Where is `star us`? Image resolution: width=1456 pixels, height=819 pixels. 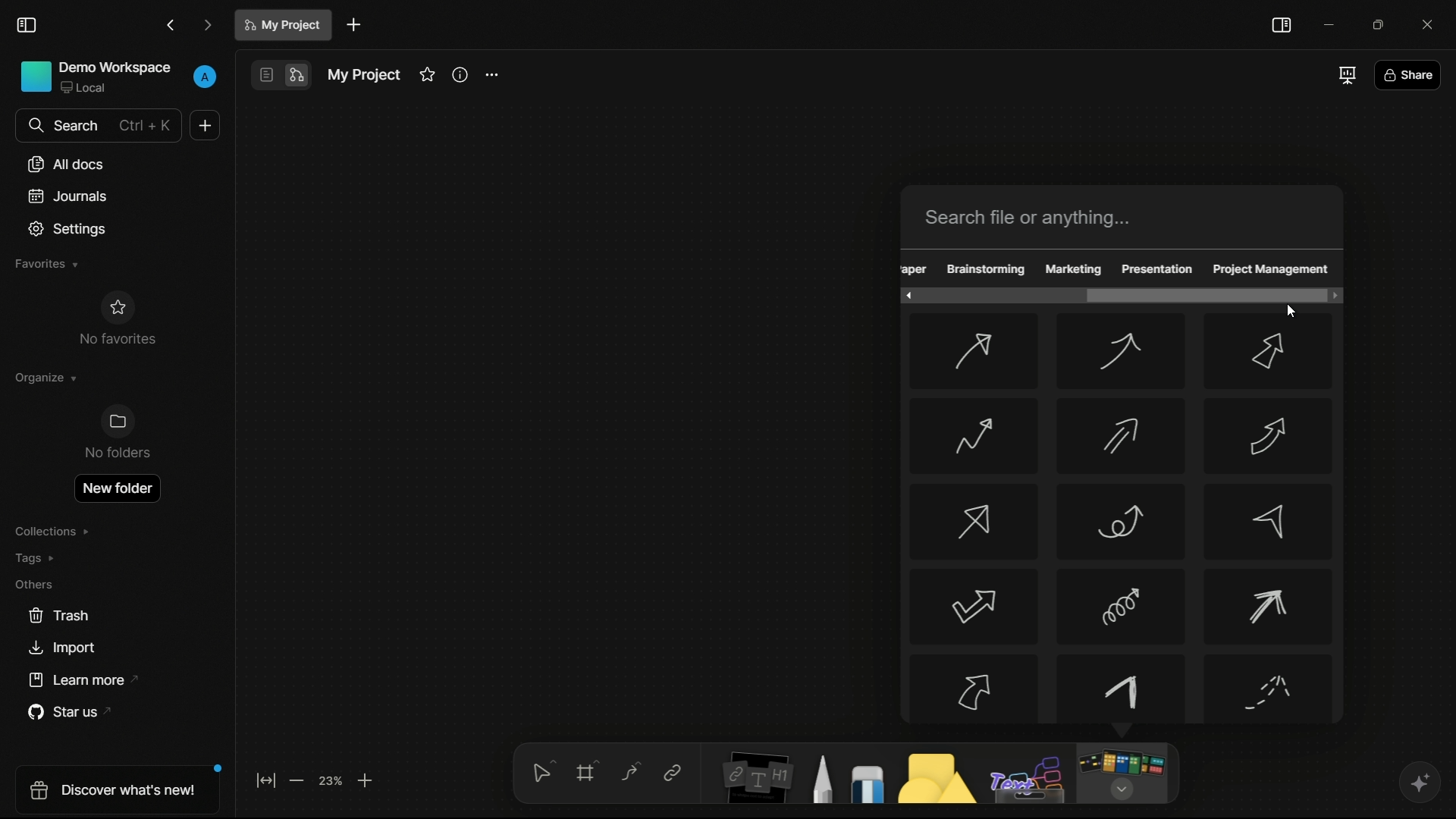 star us is located at coordinates (74, 713).